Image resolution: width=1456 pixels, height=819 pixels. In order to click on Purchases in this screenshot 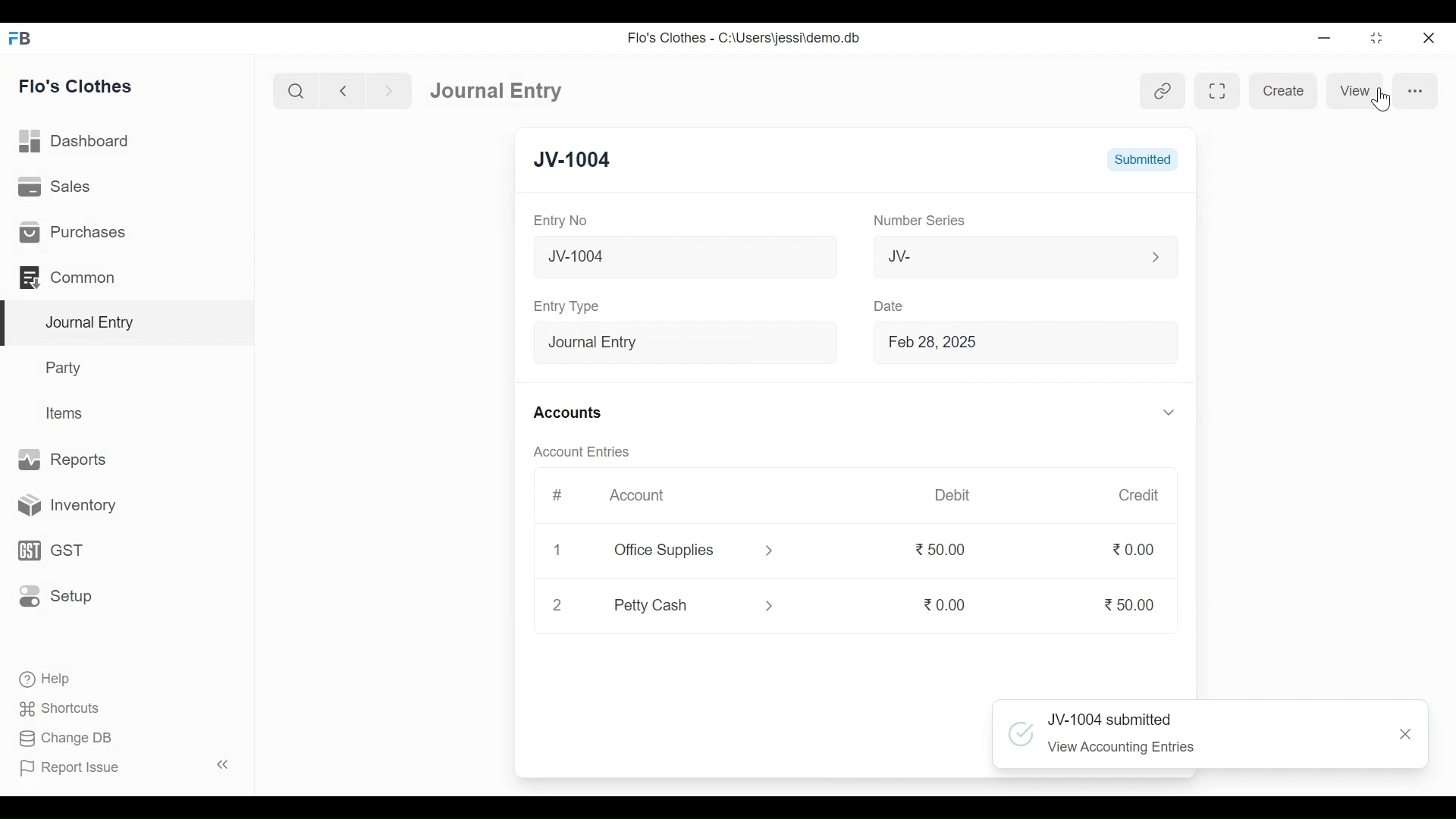, I will do `click(73, 231)`.